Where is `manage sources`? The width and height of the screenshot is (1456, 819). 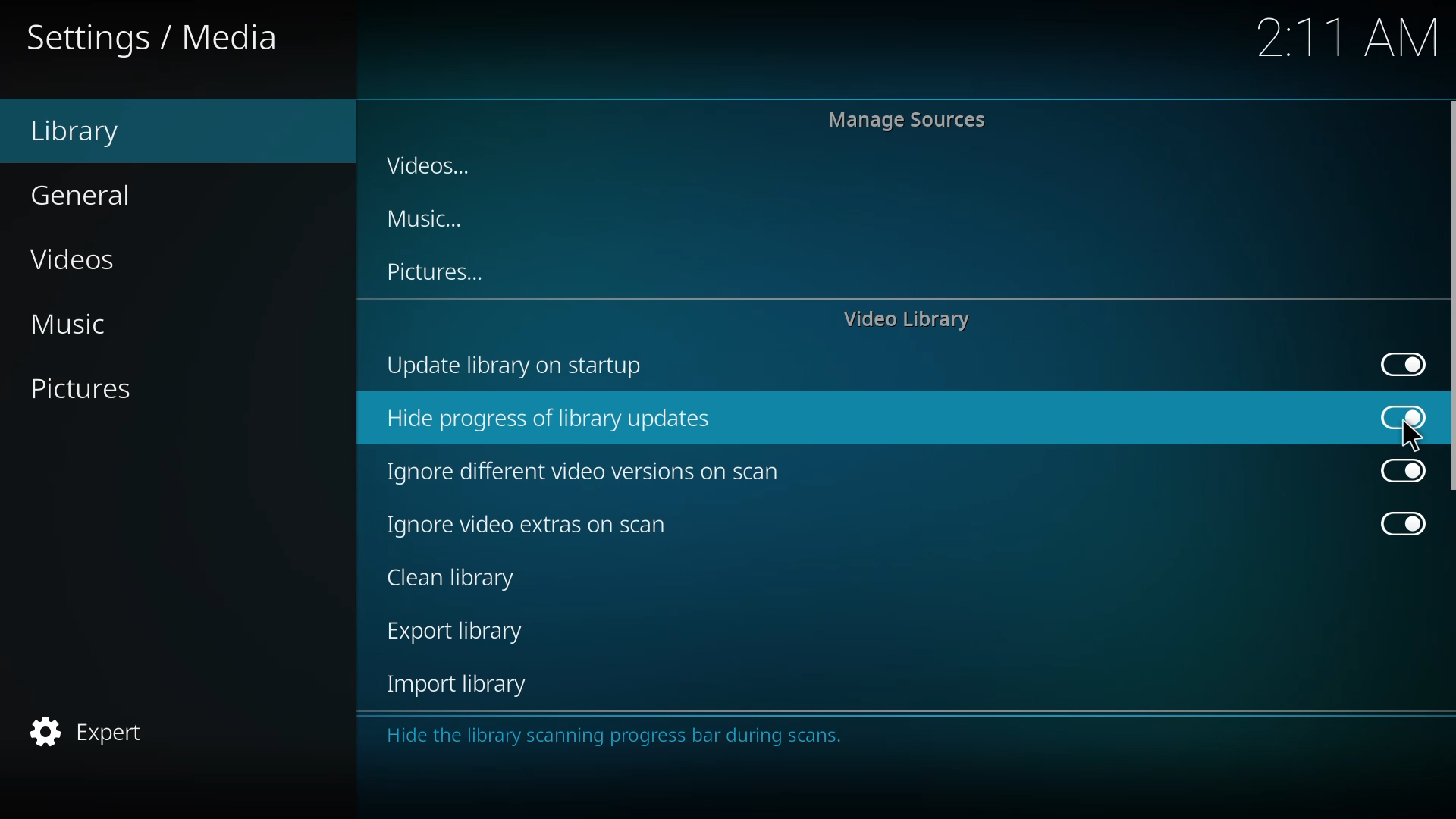
manage sources is located at coordinates (913, 120).